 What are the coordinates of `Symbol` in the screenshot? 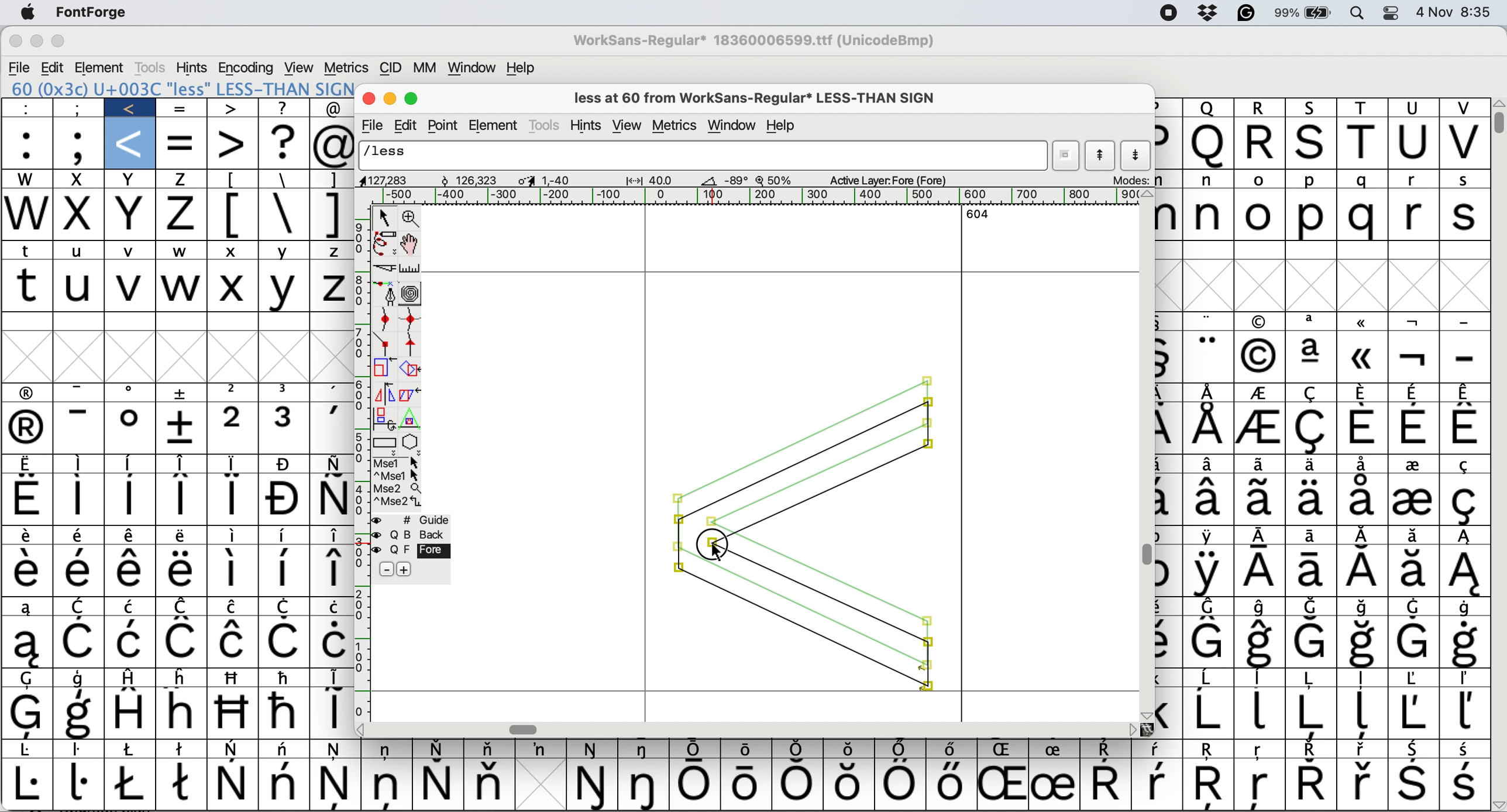 It's located at (1364, 428).